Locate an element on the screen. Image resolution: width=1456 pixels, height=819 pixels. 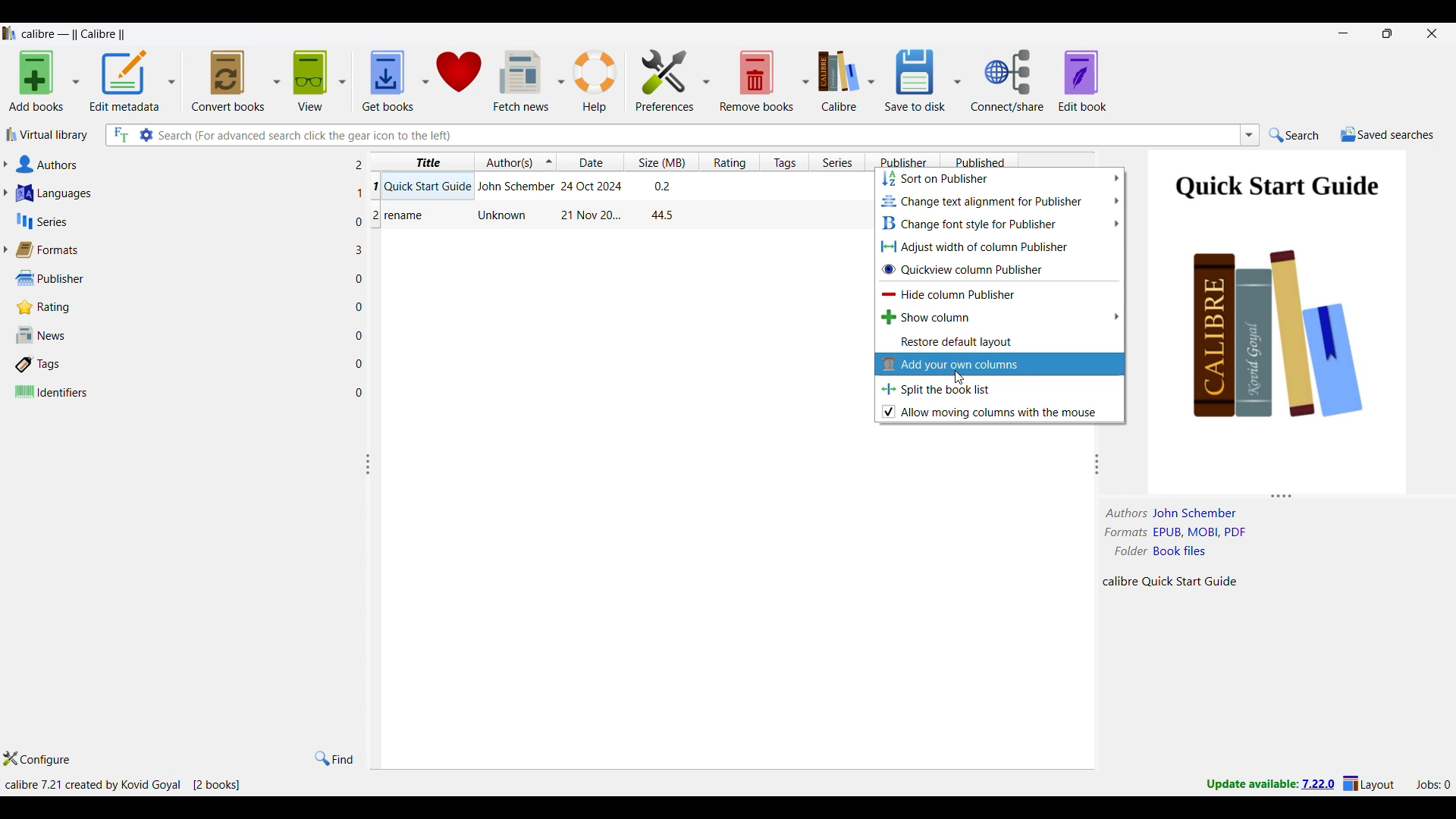
Software name is located at coordinates (74, 34).